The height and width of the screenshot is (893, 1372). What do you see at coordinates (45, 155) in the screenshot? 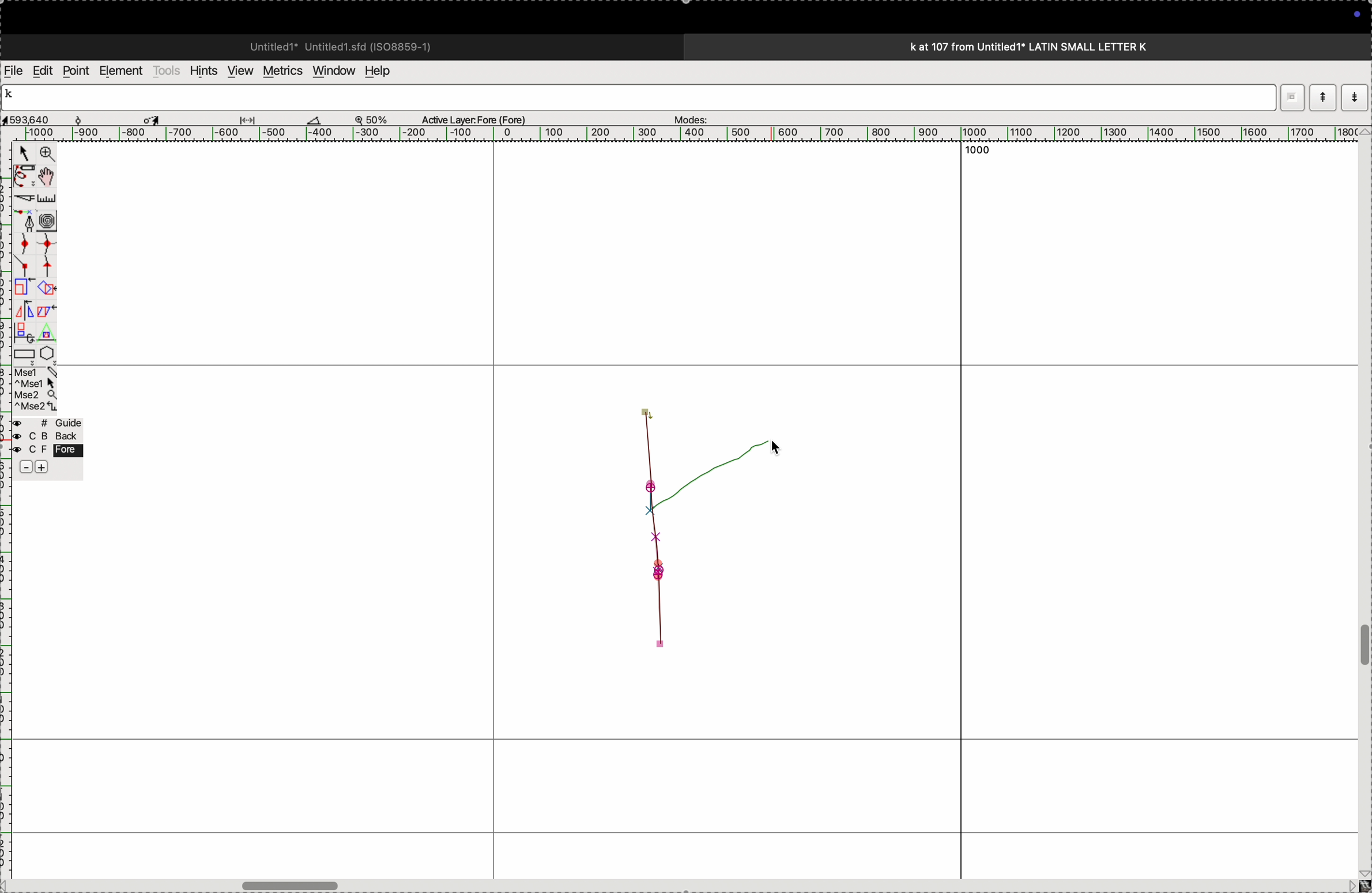
I see `zoom` at bounding box center [45, 155].